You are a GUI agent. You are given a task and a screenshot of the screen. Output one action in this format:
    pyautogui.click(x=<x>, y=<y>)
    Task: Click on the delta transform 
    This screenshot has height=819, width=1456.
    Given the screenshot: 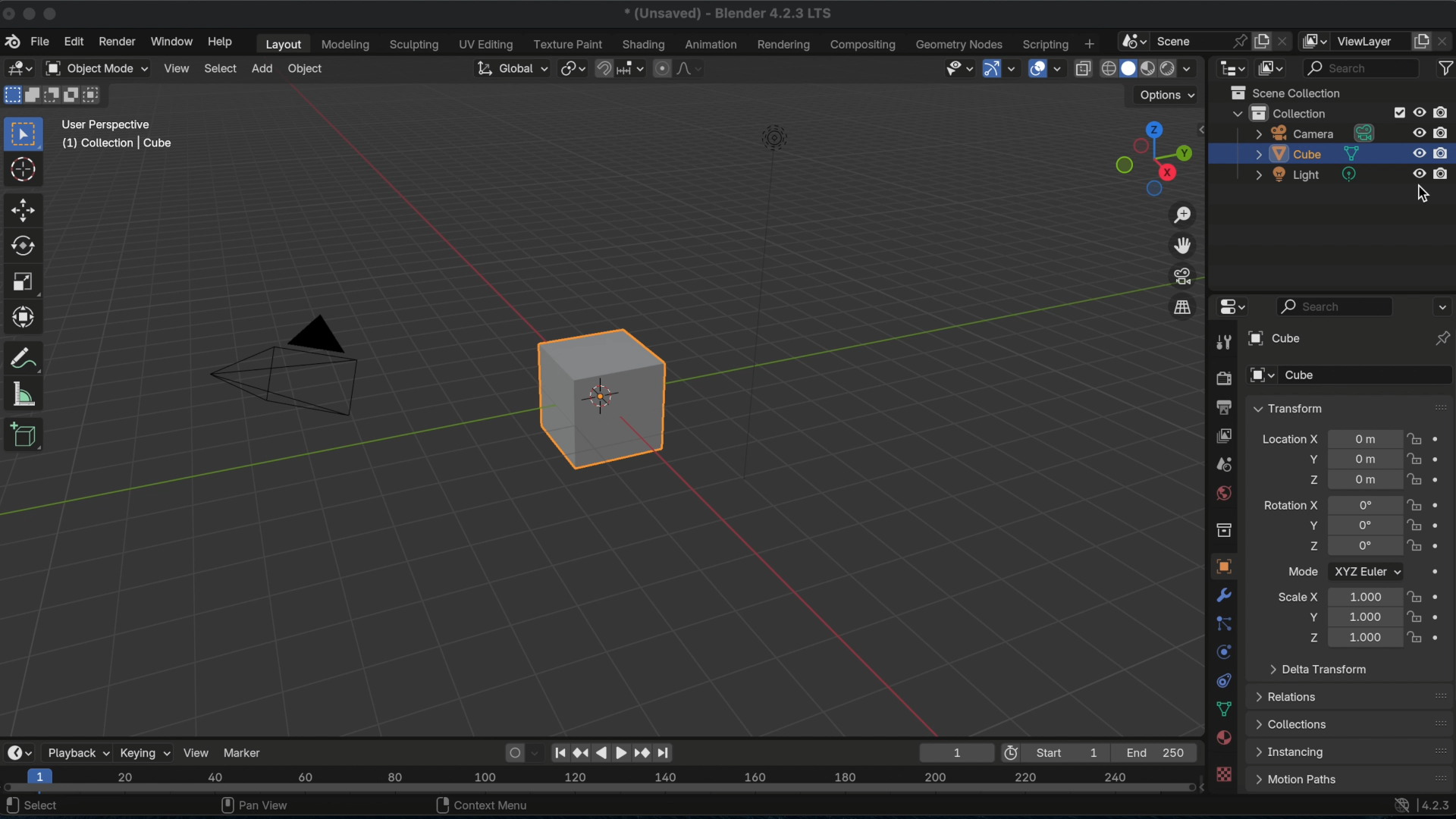 What is the action you would take?
    pyautogui.click(x=1320, y=670)
    